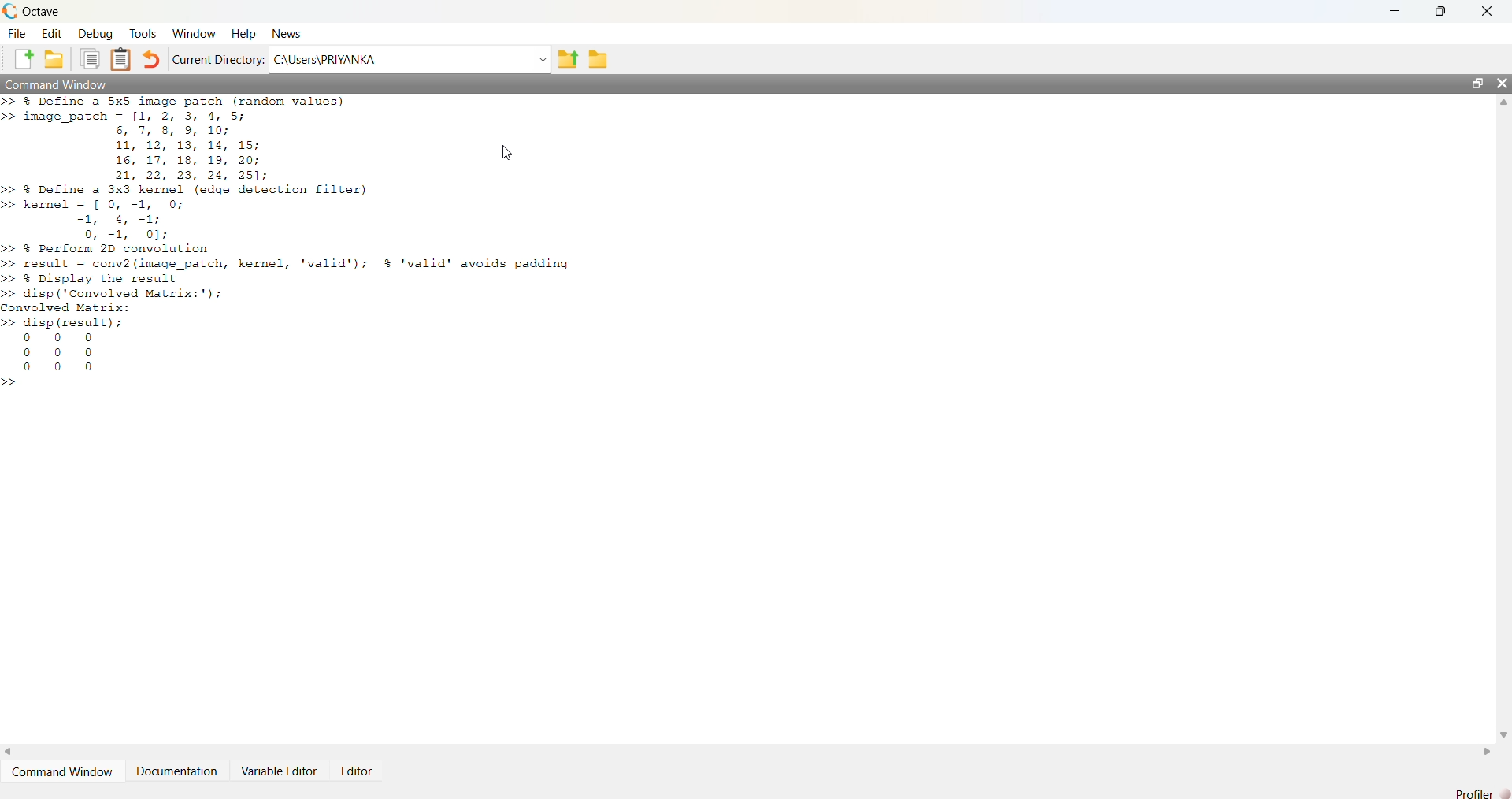 This screenshot has width=1512, height=799. What do you see at coordinates (1476, 792) in the screenshot?
I see `Profiler` at bounding box center [1476, 792].